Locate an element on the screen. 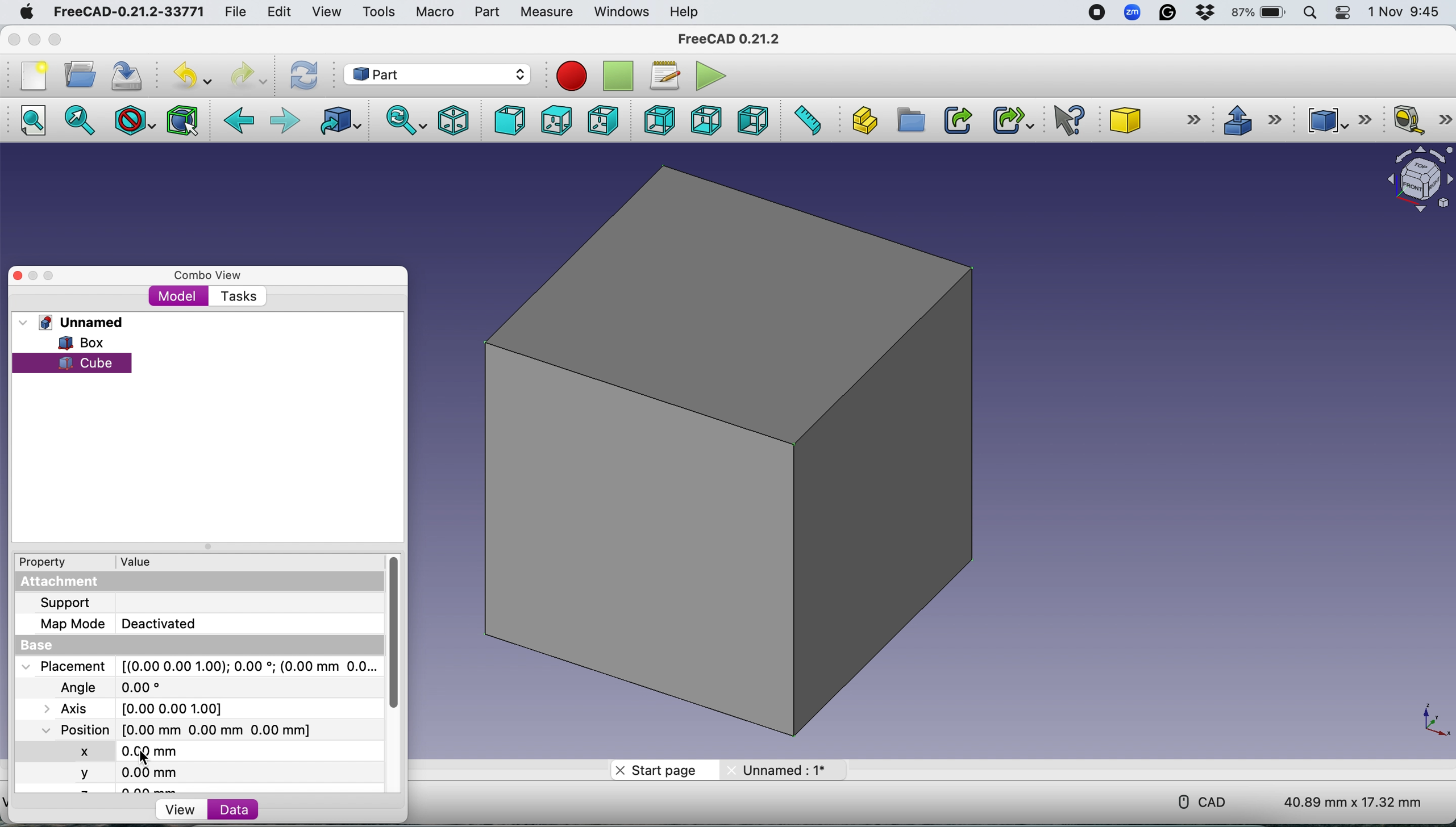  Fit all is located at coordinates (39, 122).